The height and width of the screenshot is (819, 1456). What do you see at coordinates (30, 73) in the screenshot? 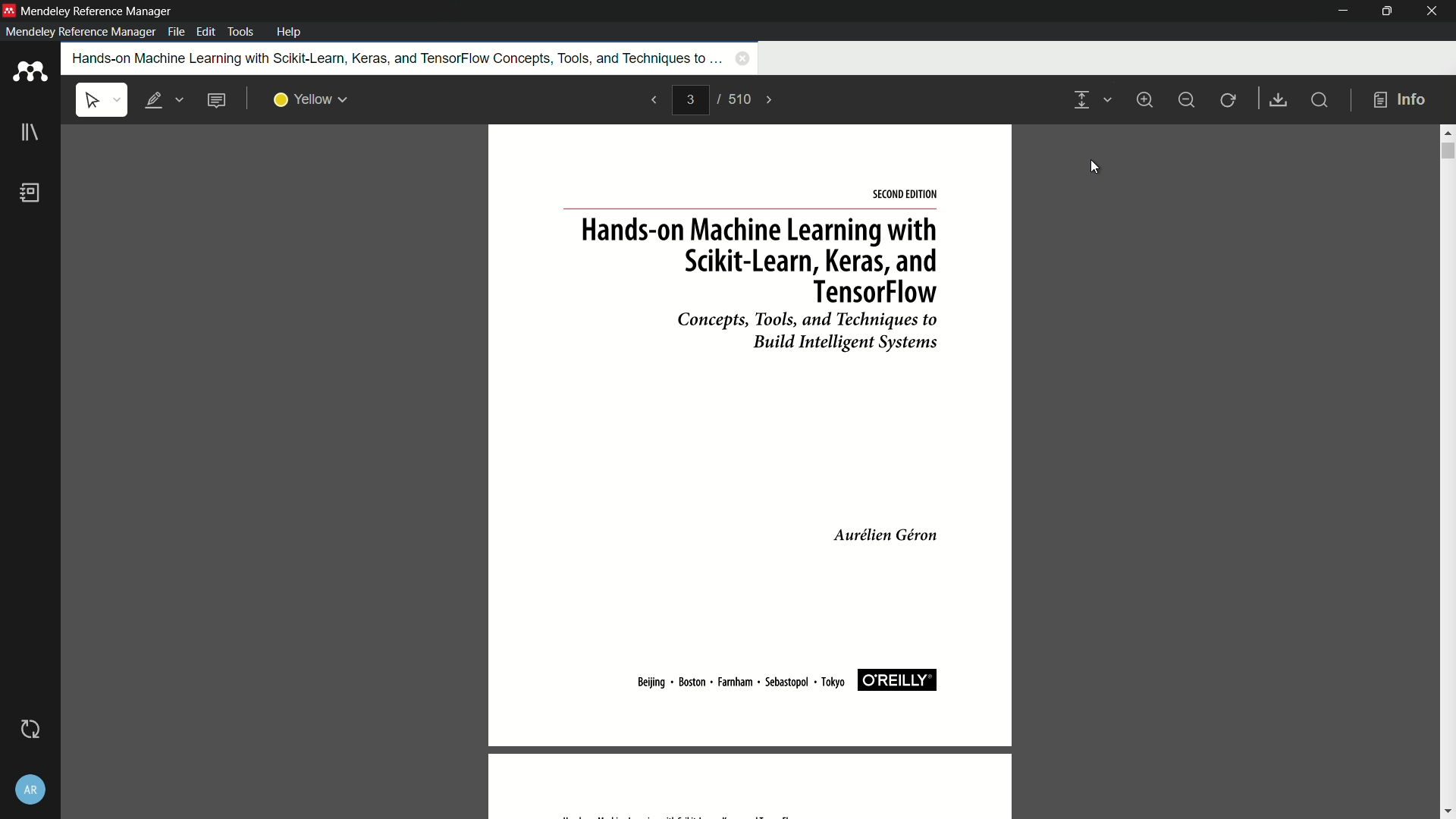
I see `app icon` at bounding box center [30, 73].